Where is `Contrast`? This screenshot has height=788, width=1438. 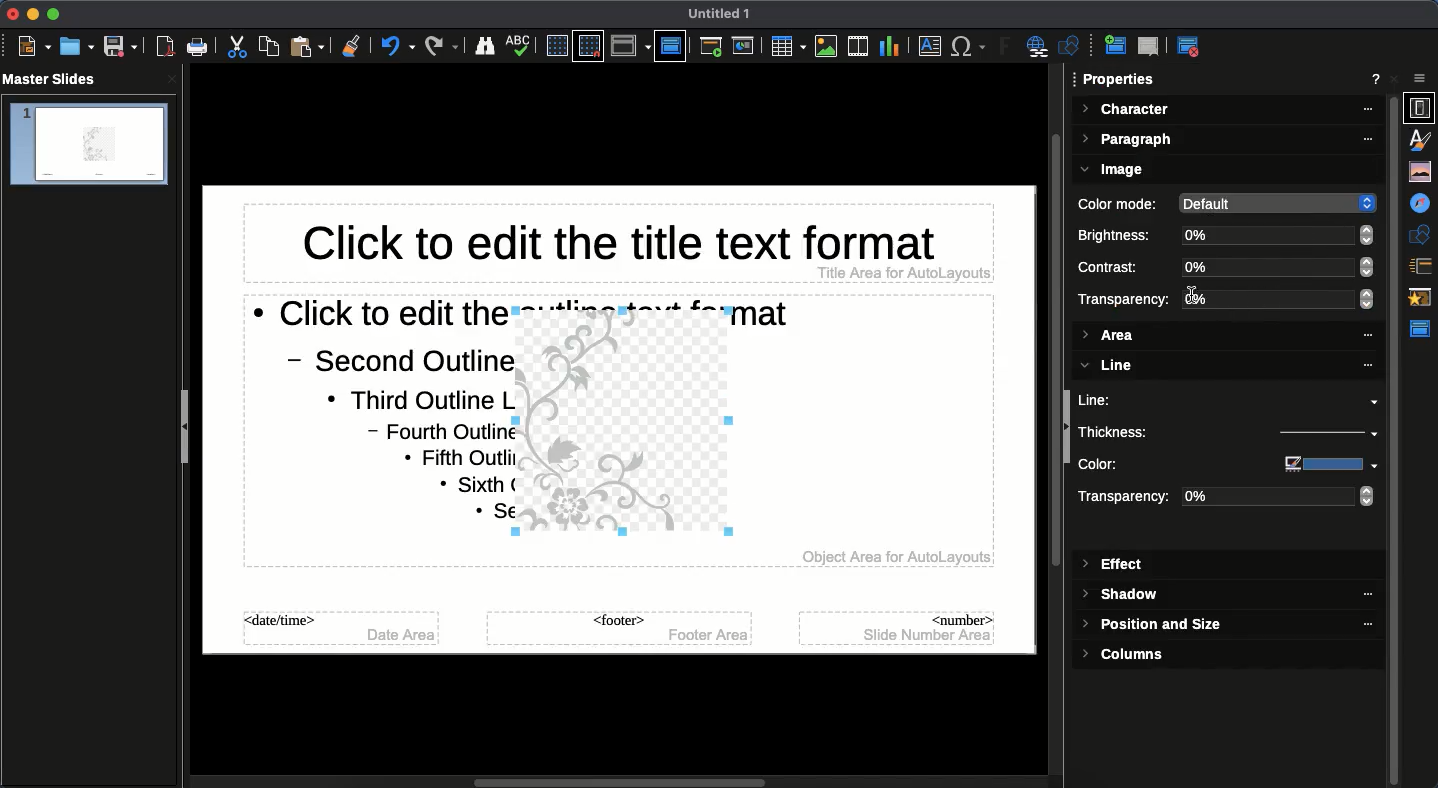 Contrast is located at coordinates (1116, 267).